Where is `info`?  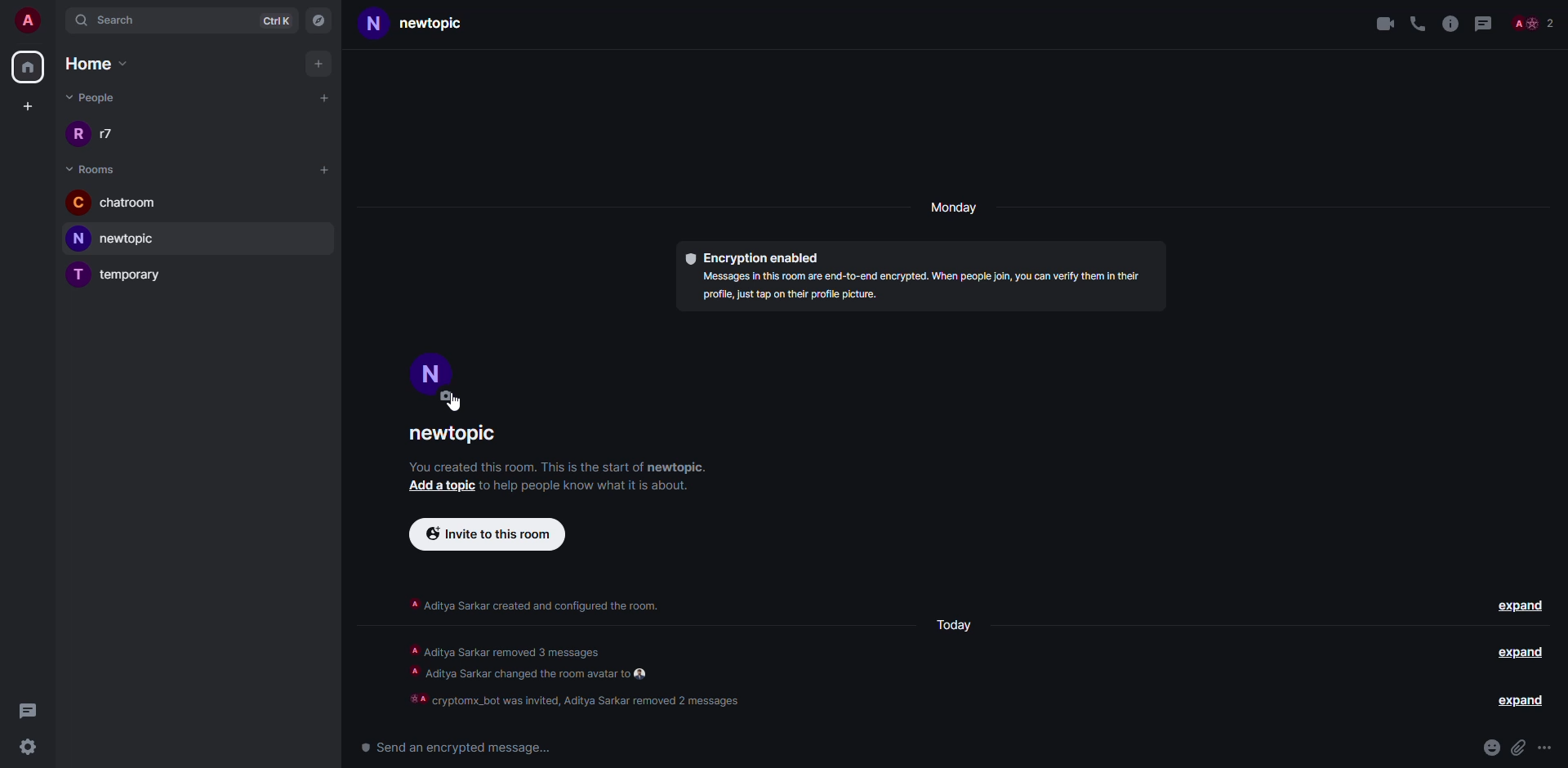
info is located at coordinates (1449, 22).